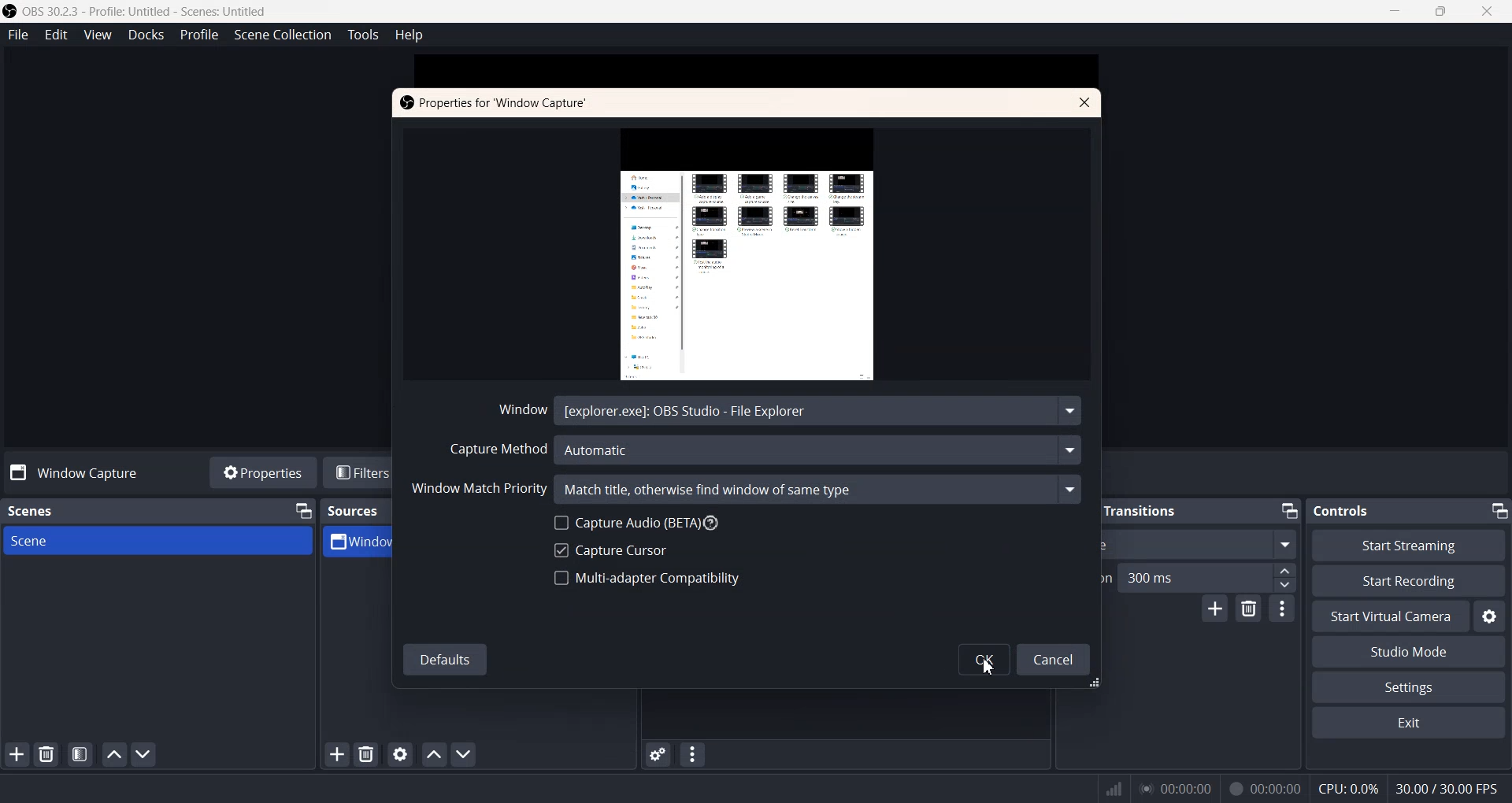  Describe the element at coordinates (463, 754) in the screenshot. I see `Move source down` at that location.